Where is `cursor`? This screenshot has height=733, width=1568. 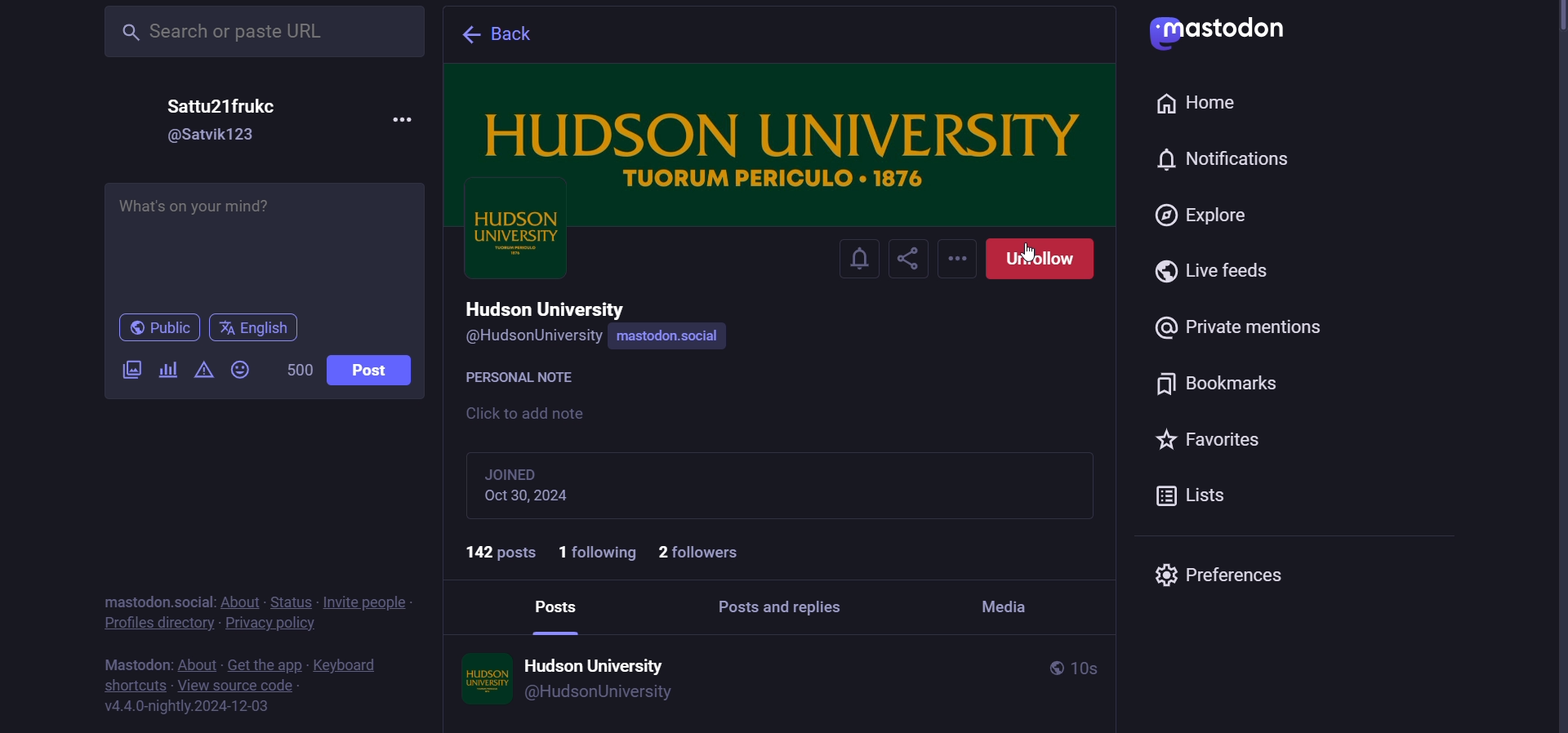 cursor is located at coordinates (1031, 246).